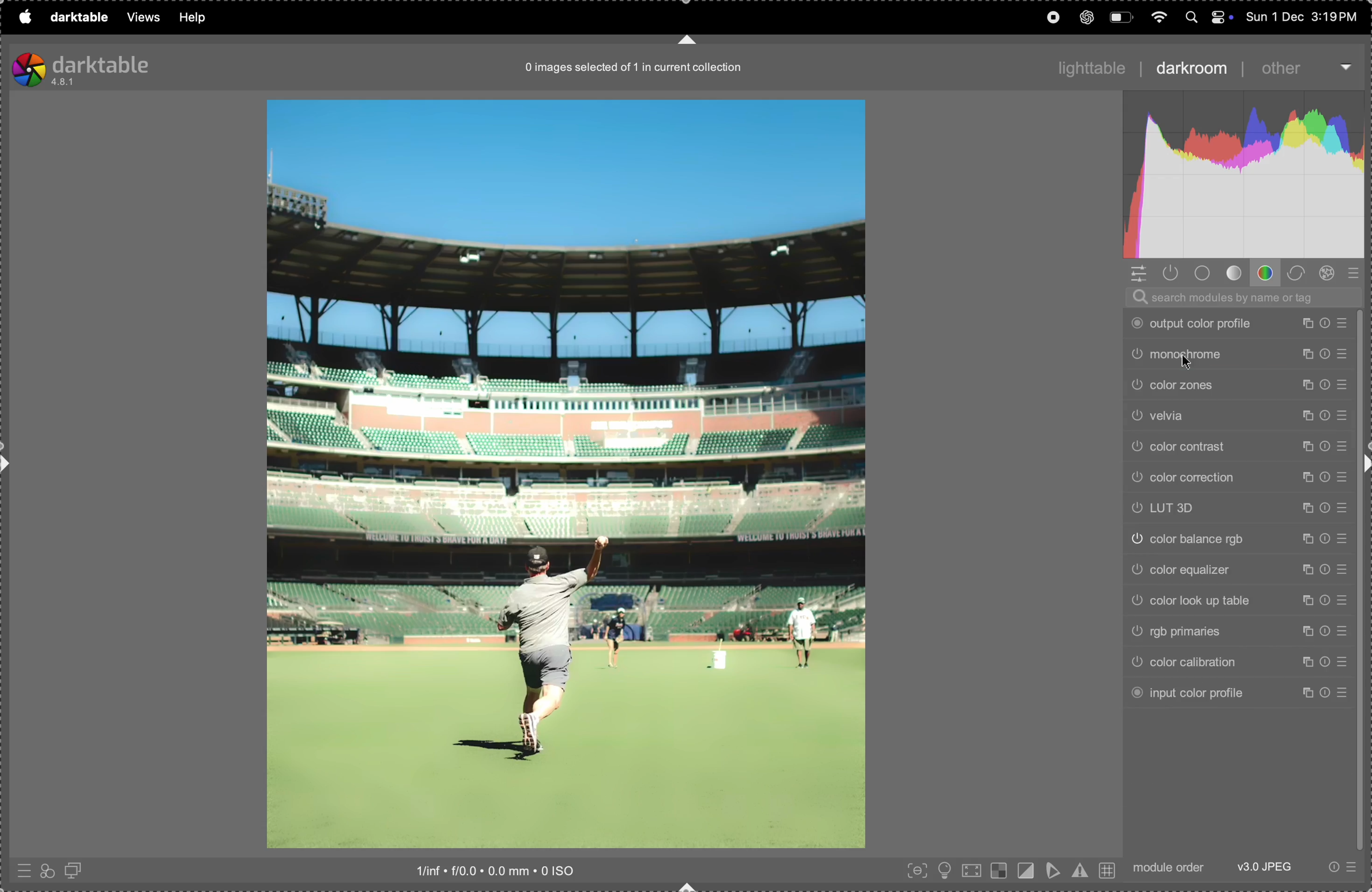  Describe the element at coordinates (1238, 599) in the screenshot. I see `click lookup table` at that location.